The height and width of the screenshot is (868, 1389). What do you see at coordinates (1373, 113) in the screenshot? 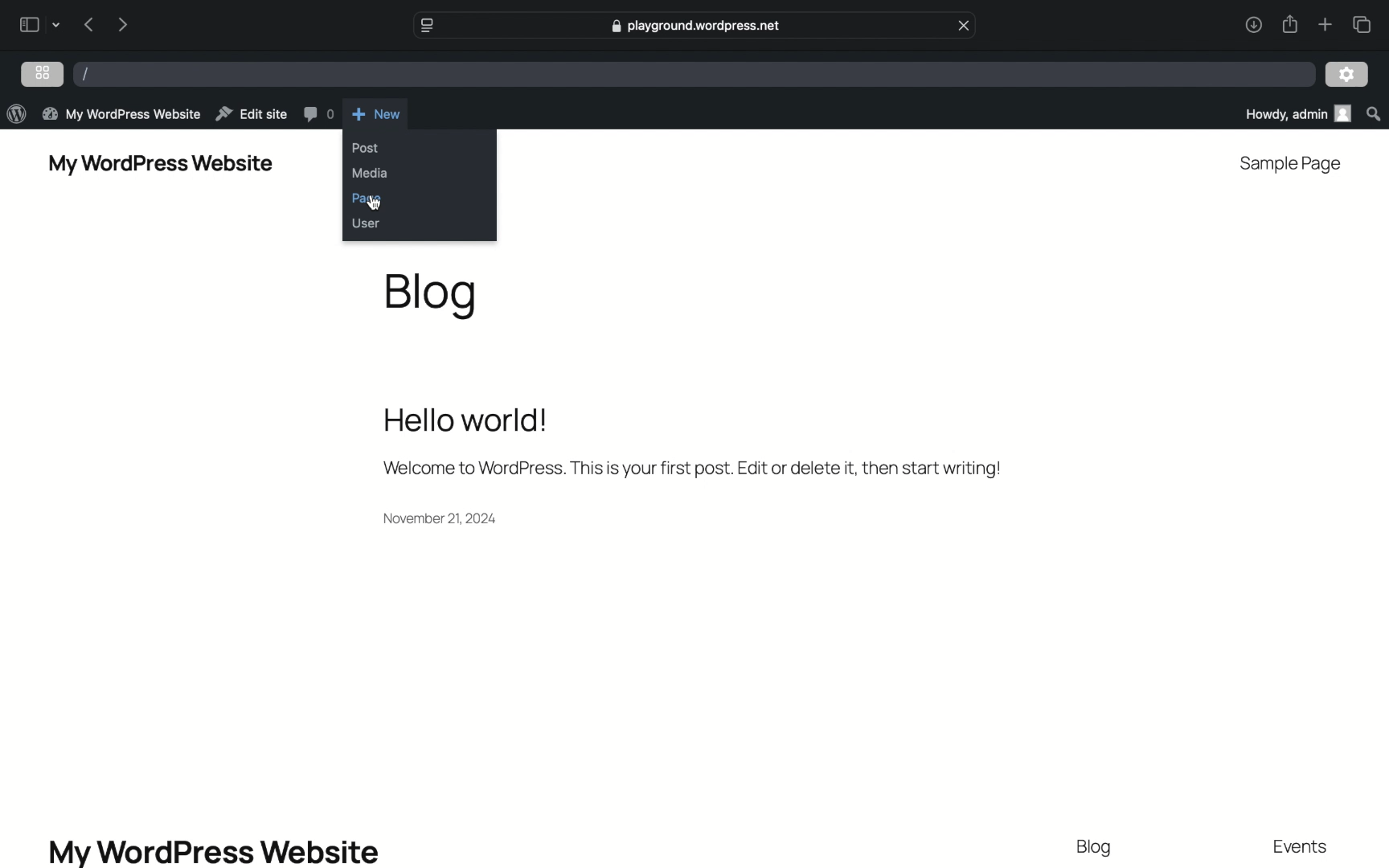
I see `search` at bounding box center [1373, 113].